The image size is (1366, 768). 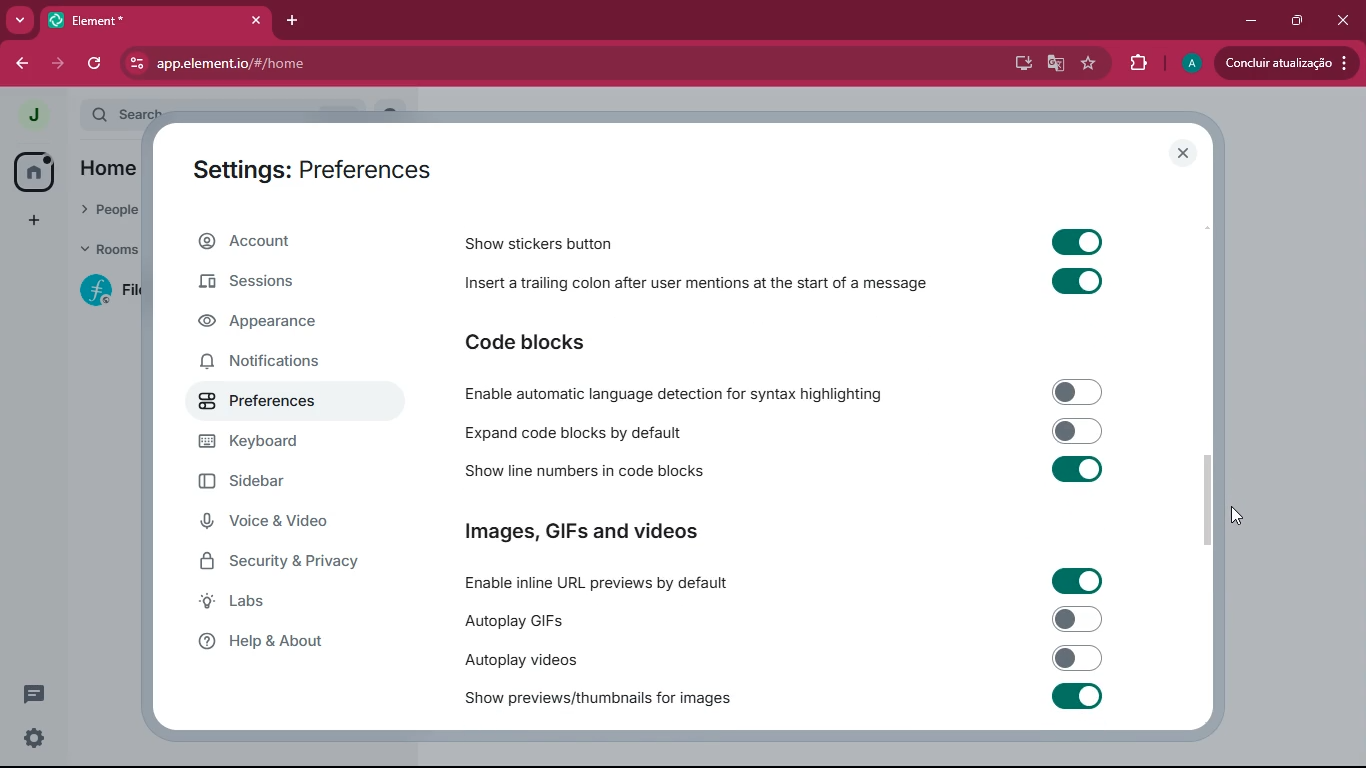 What do you see at coordinates (518, 659) in the screenshot?
I see `autoplay videos` at bounding box center [518, 659].